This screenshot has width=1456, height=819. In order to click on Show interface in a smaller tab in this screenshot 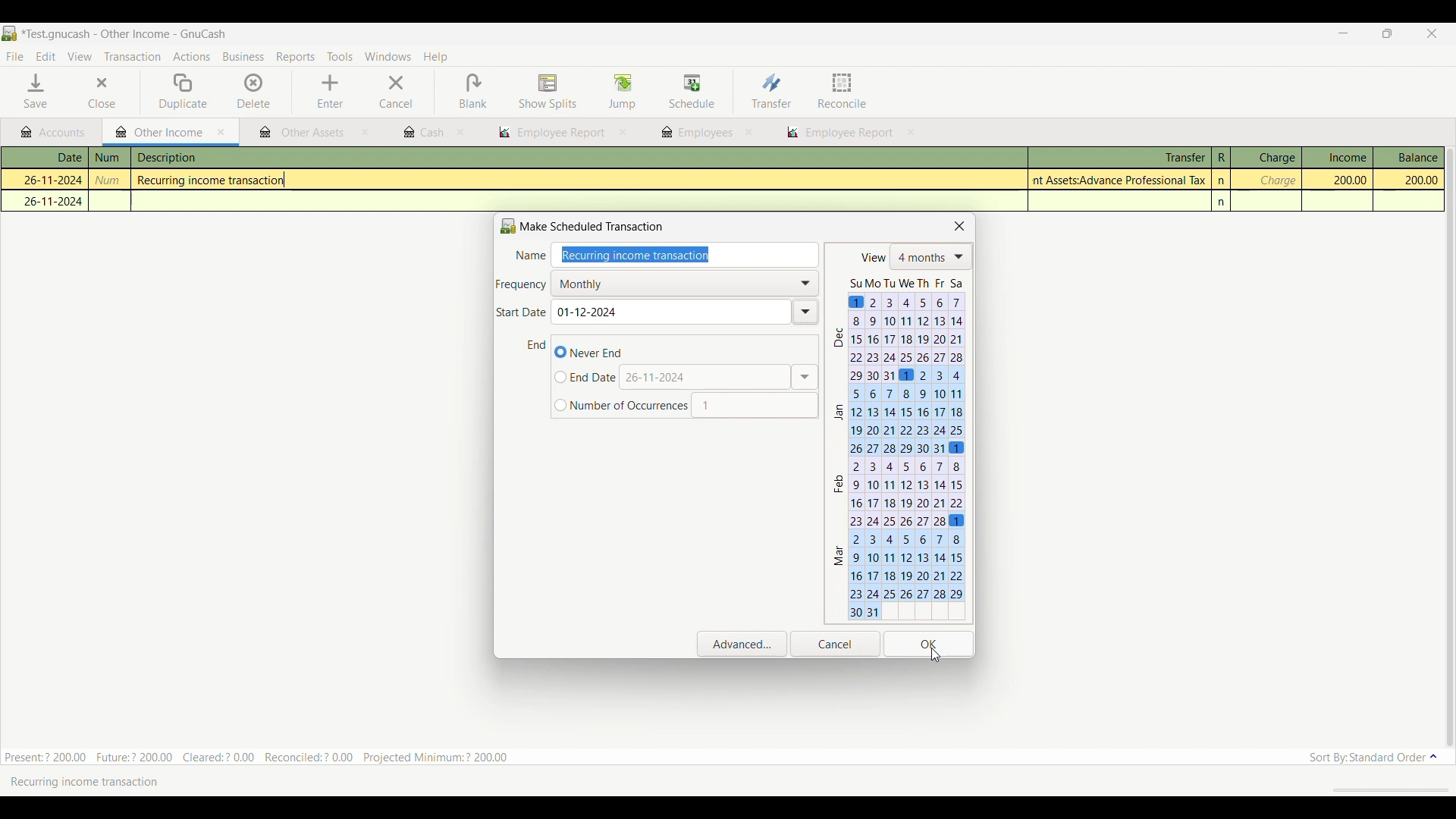, I will do `click(1390, 35)`.